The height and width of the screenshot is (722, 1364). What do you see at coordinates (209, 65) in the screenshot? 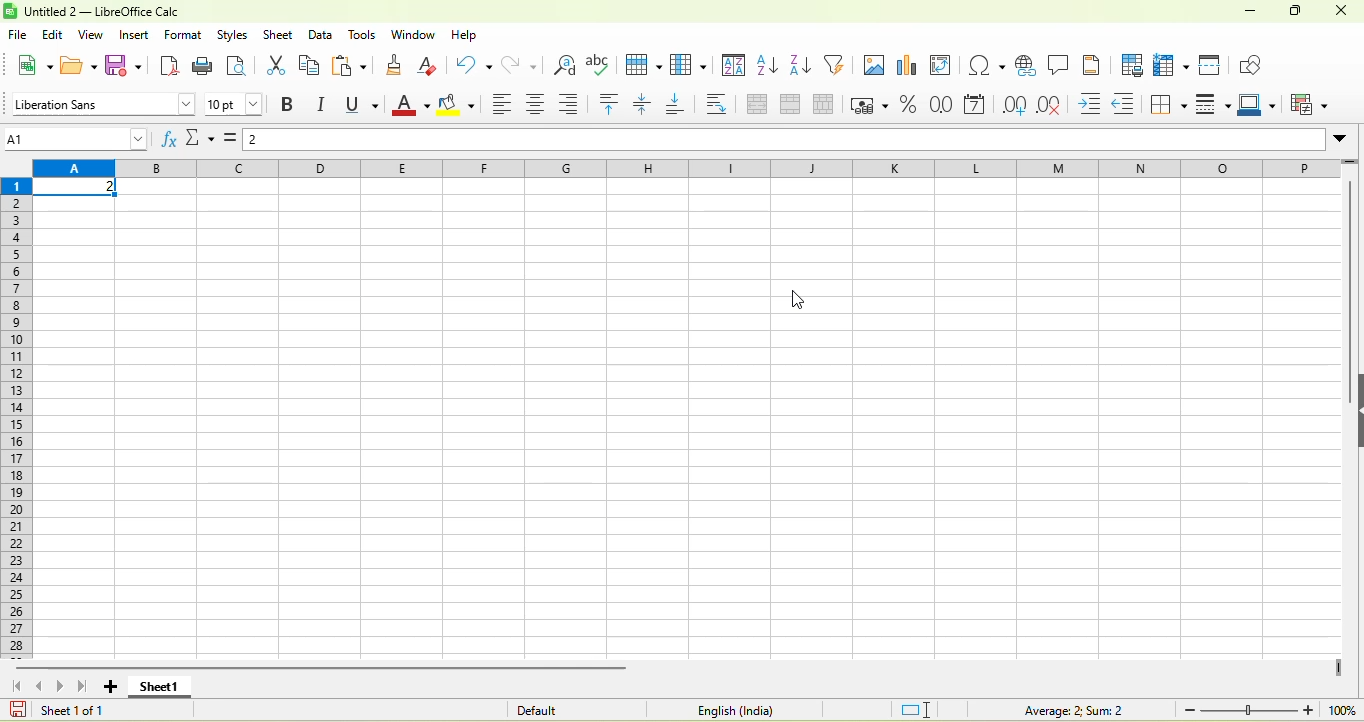
I see `print` at bounding box center [209, 65].